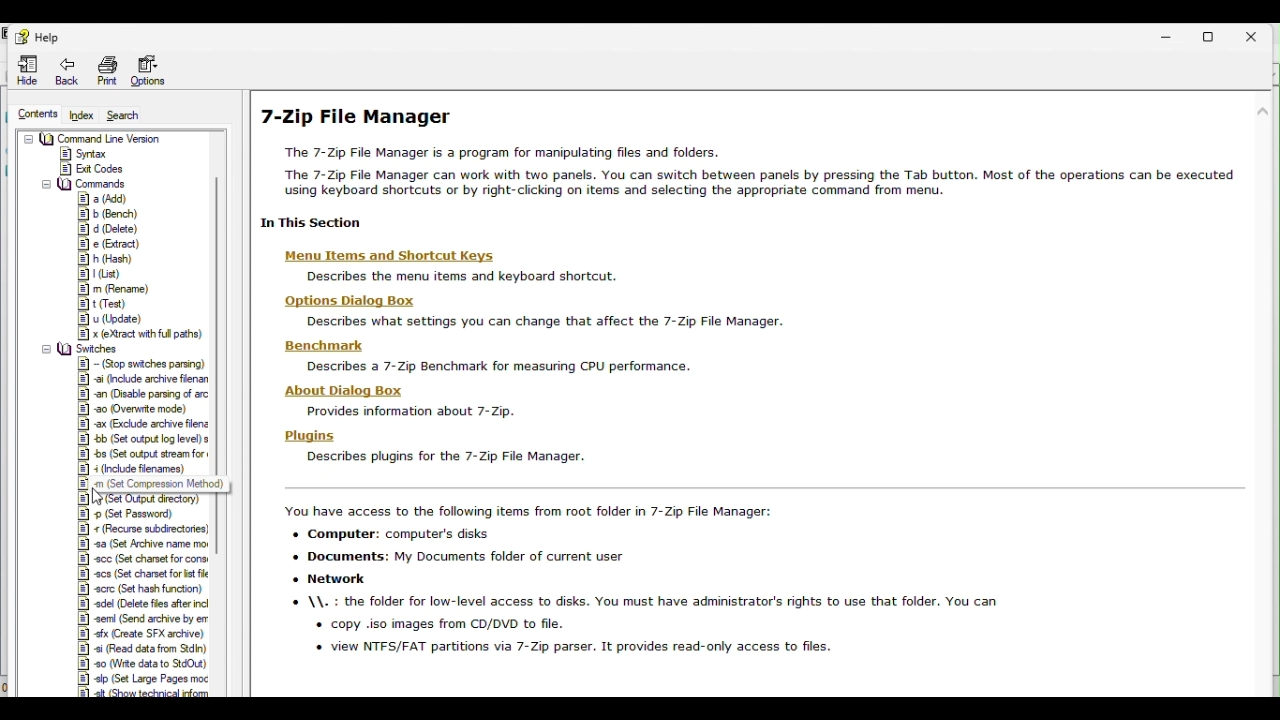 This screenshot has width=1280, height=720. What do you see at coordinates (143, 395) in the screenshot?
I see `an` at bounding box center [143, 395].